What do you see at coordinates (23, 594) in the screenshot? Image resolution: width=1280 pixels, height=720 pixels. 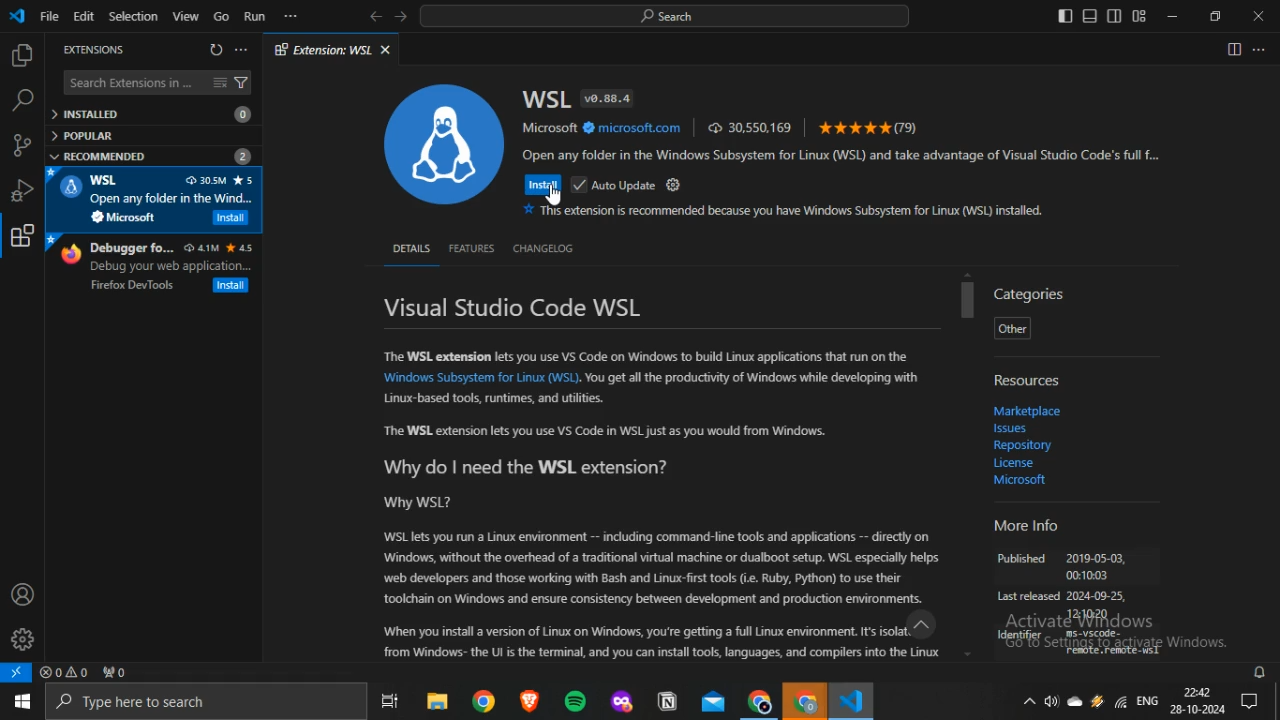 I see `accounts` at bounding box center [23, 594].